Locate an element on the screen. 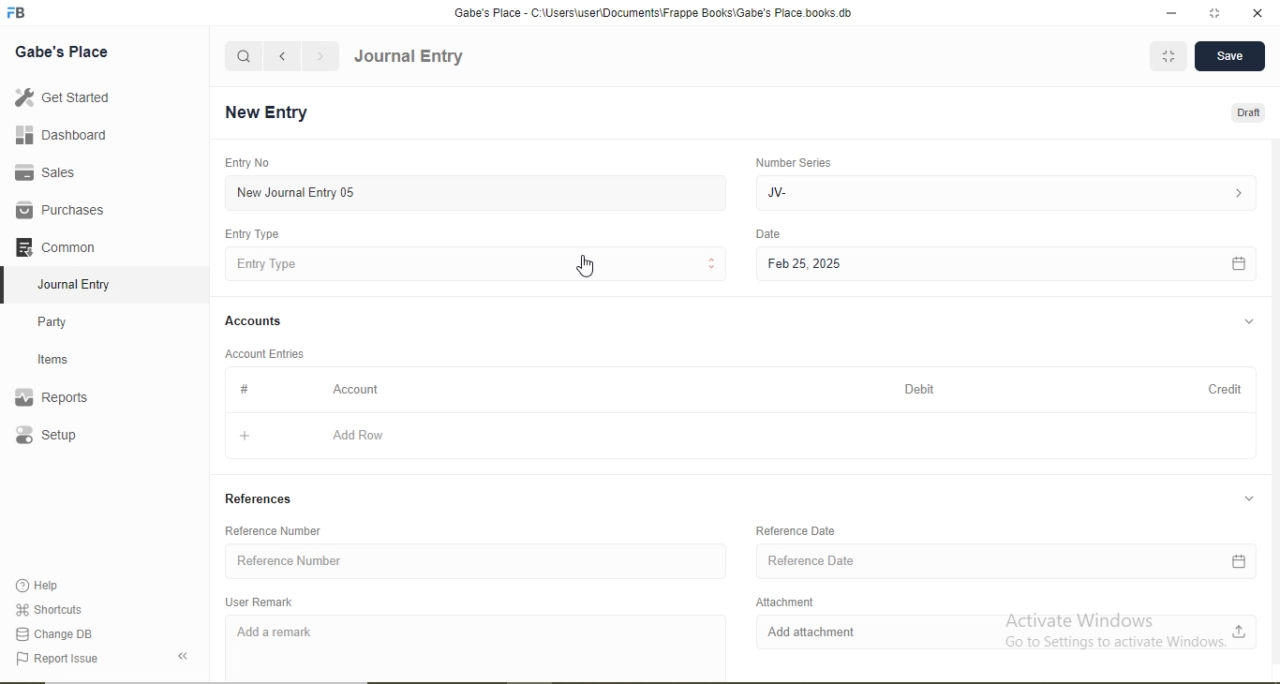 This screenshot has width=1280, height=684. Sales is located at coordinates (54, 172).